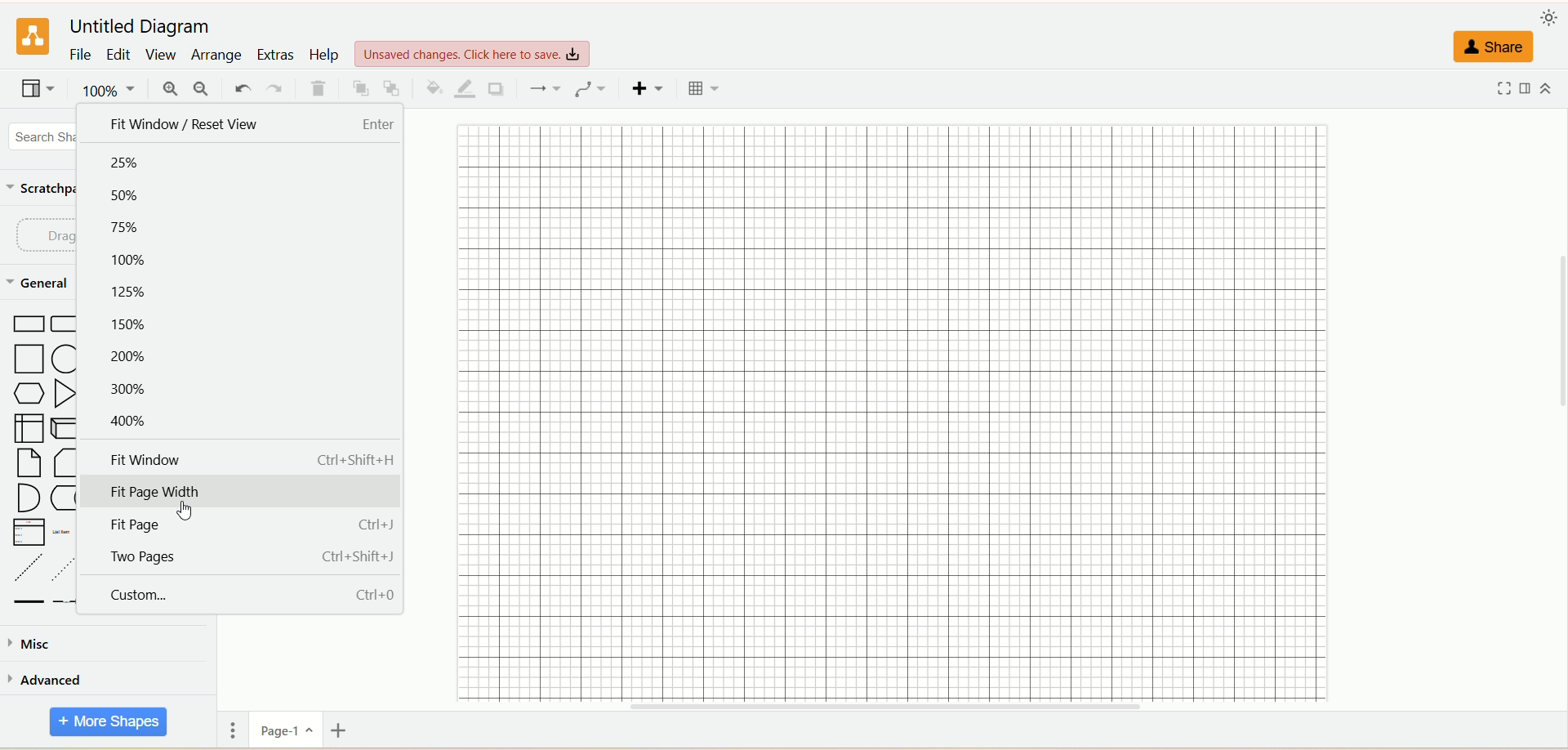 This screenshot has height=750, width=1568. What do you see at coordinates (341, 730) in the screenshot?
I see `insert pages` at bounding box center [341, 730].